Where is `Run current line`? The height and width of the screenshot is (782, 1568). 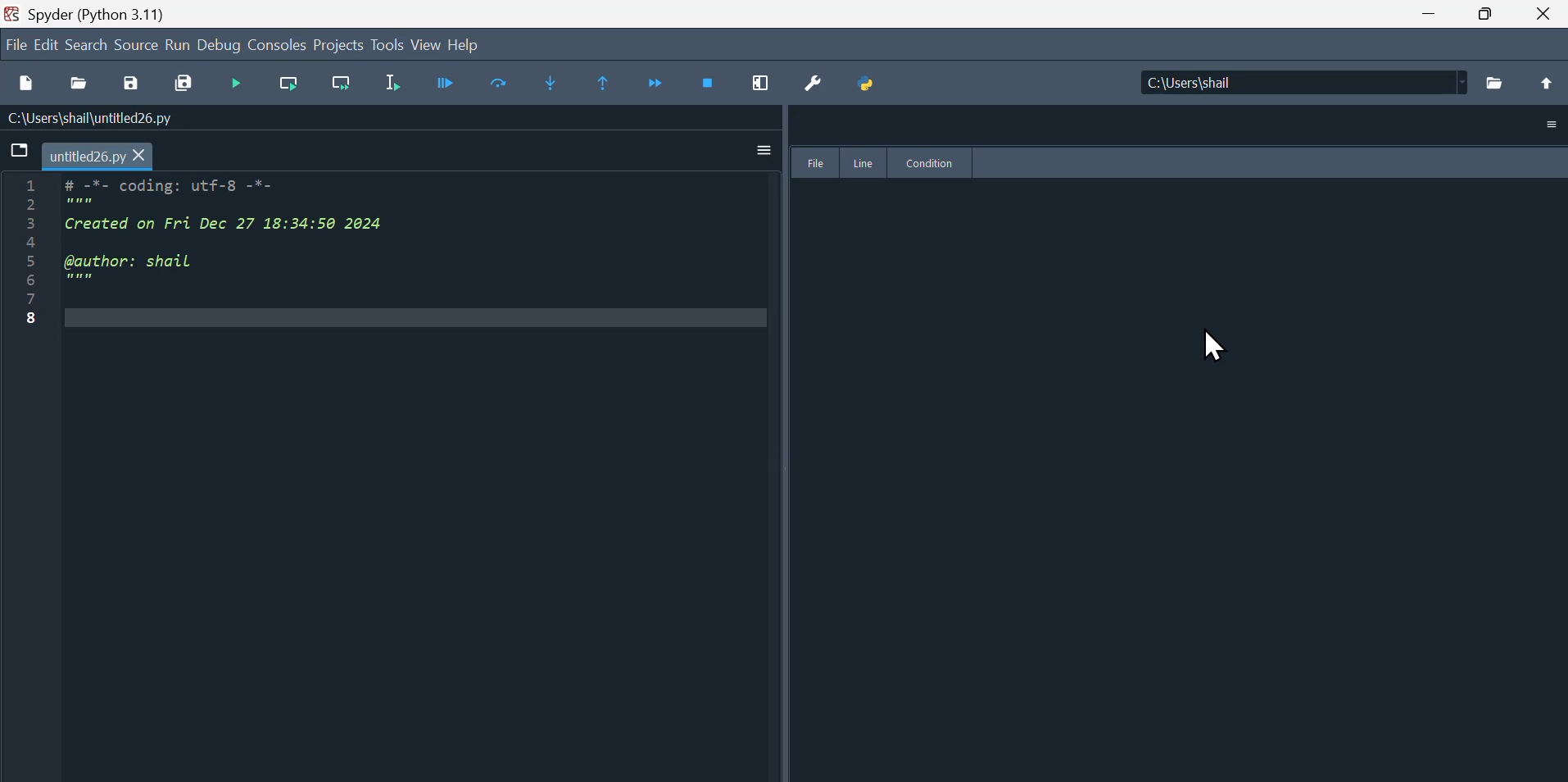
Run current line is located at coordinates (504, 85).